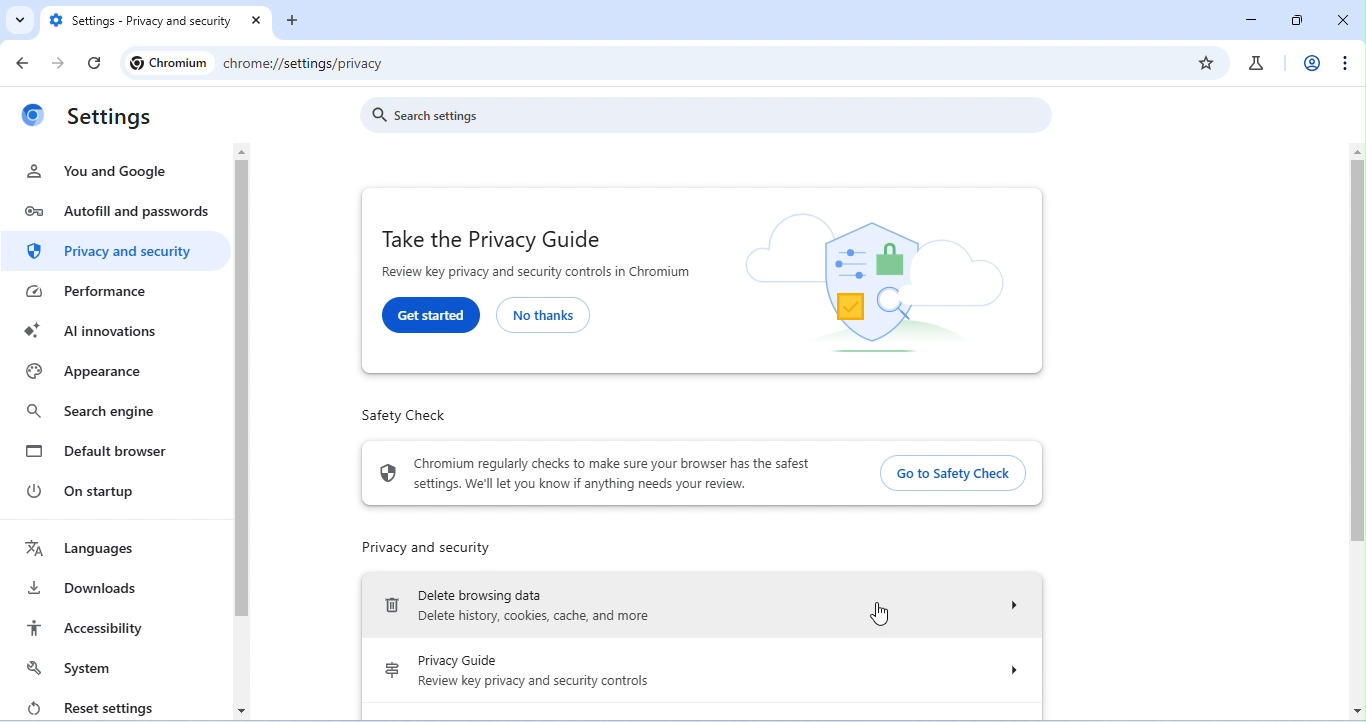 The width and height of the screenshot is (1366, 722). What do you see at coordinates (425, 548) in the screenshot?
I see `privacy and security` at bounding box center [425, 548].